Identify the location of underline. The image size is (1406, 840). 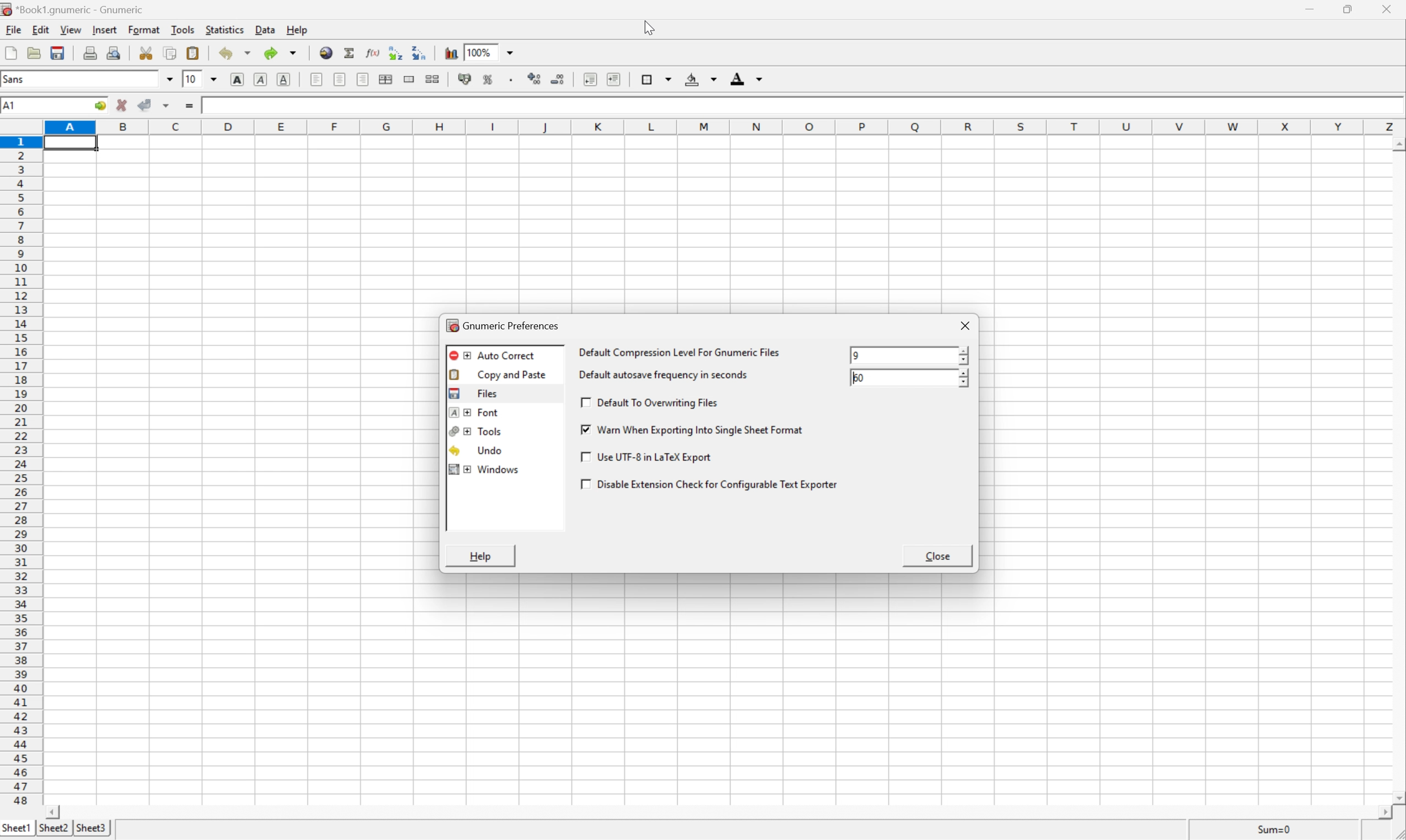
(283, 79).